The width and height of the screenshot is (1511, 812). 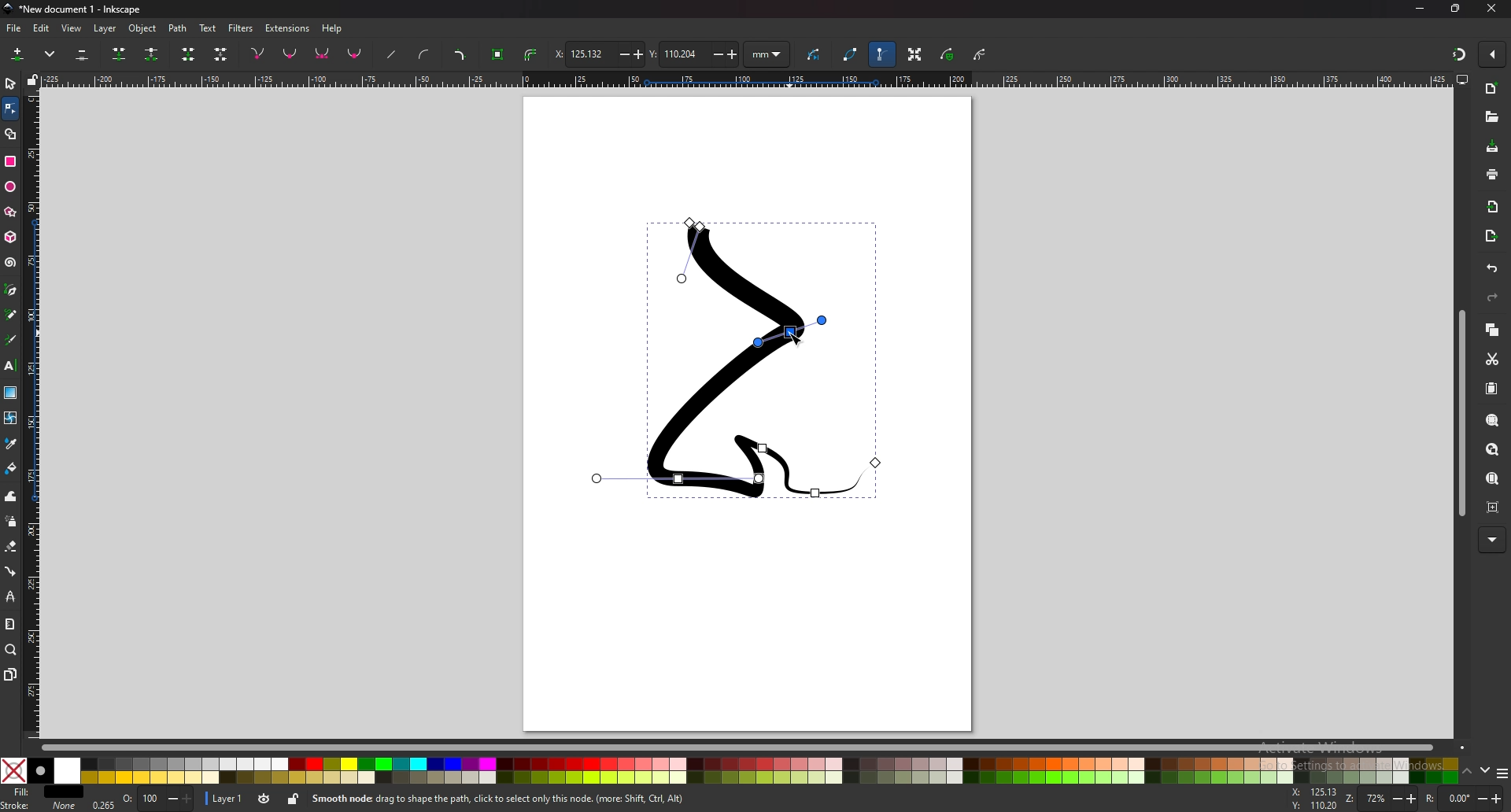 I want to click on gradient, so click(x=10, y=393).